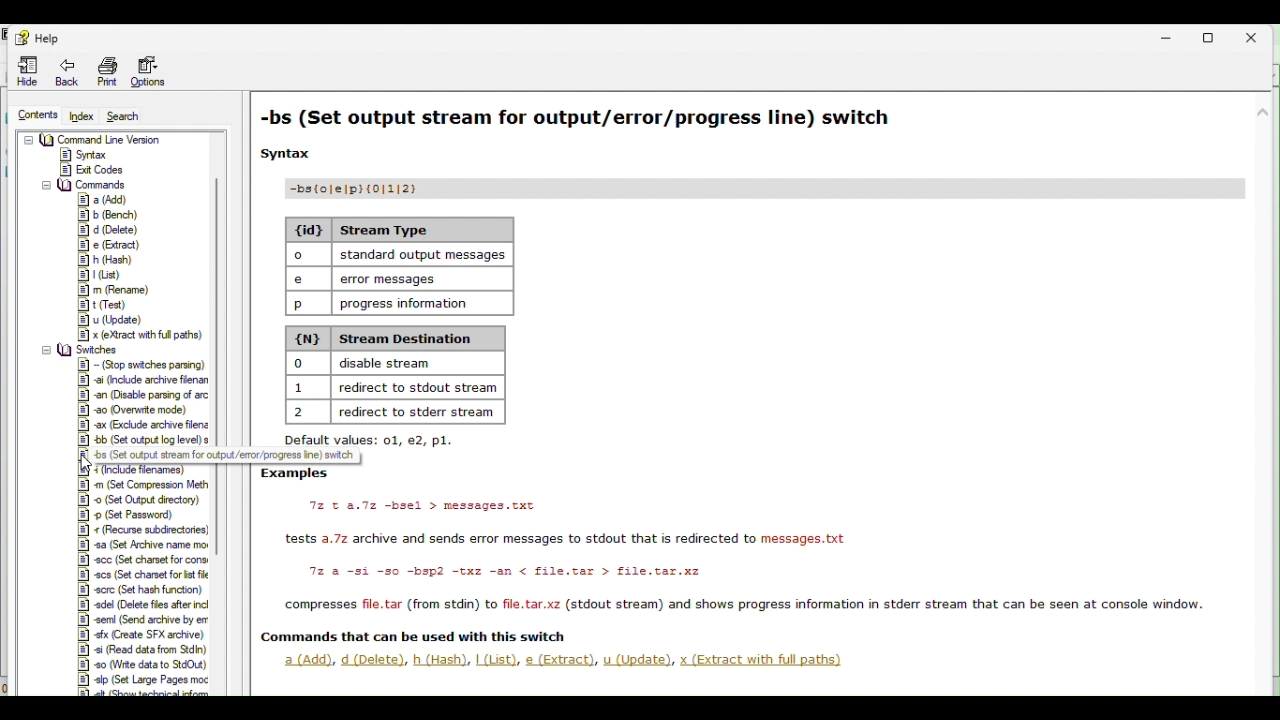 The width and height of the screenshot is (1280, 720). I want to click on Switches, so click(124, 584).